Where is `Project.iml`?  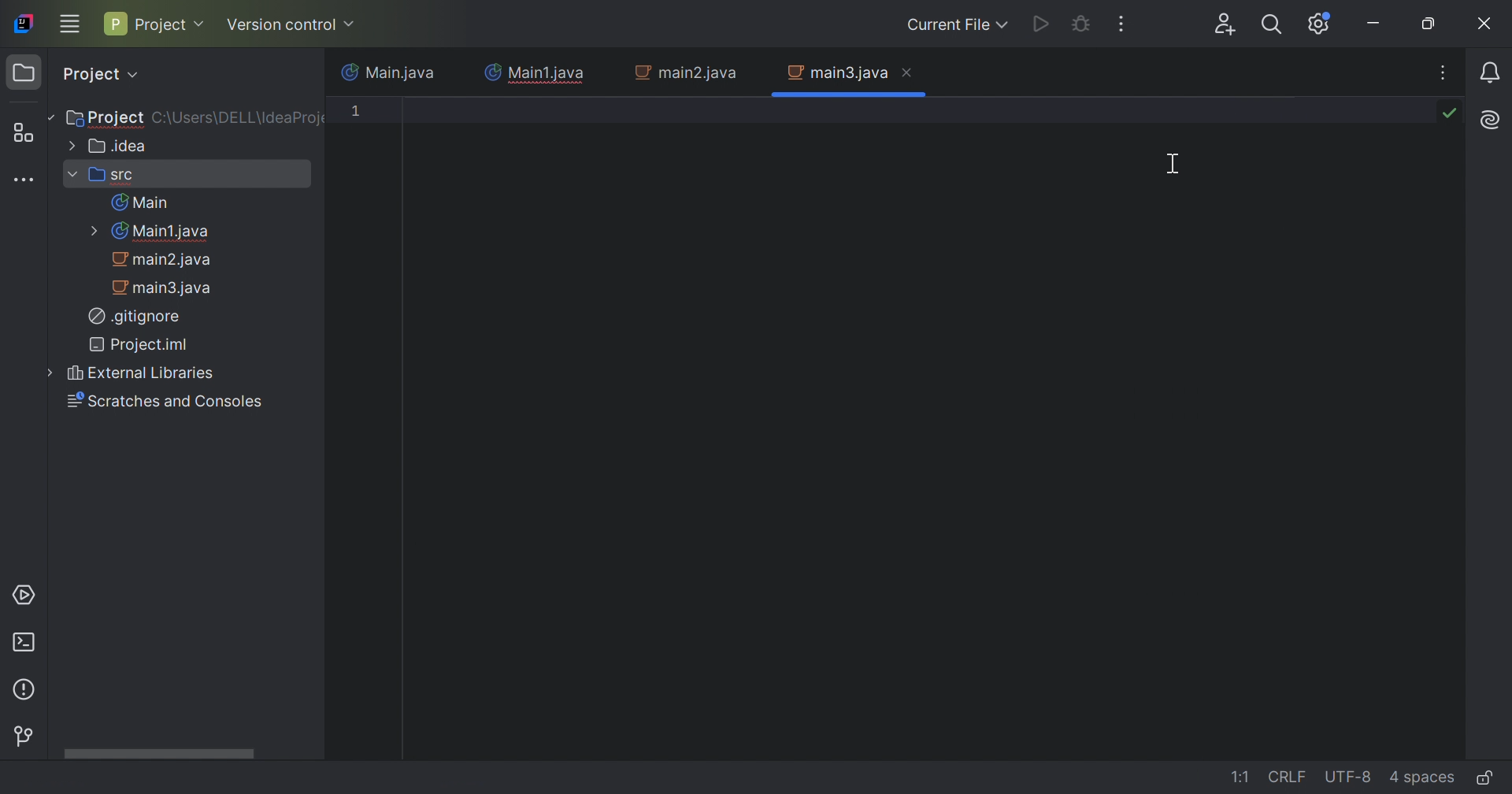 Project.iml is located at coordinates (143, 343).